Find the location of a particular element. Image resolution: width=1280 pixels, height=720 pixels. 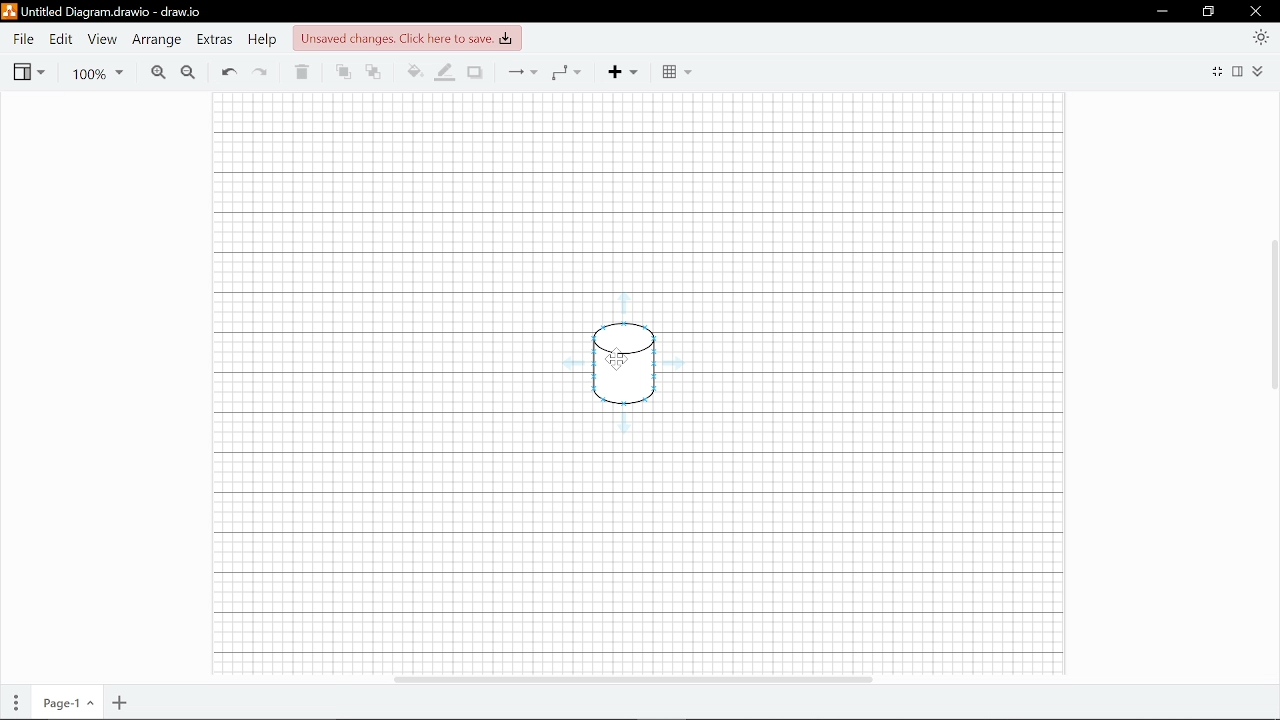

Current diagram is located at coordinates (610, 367).